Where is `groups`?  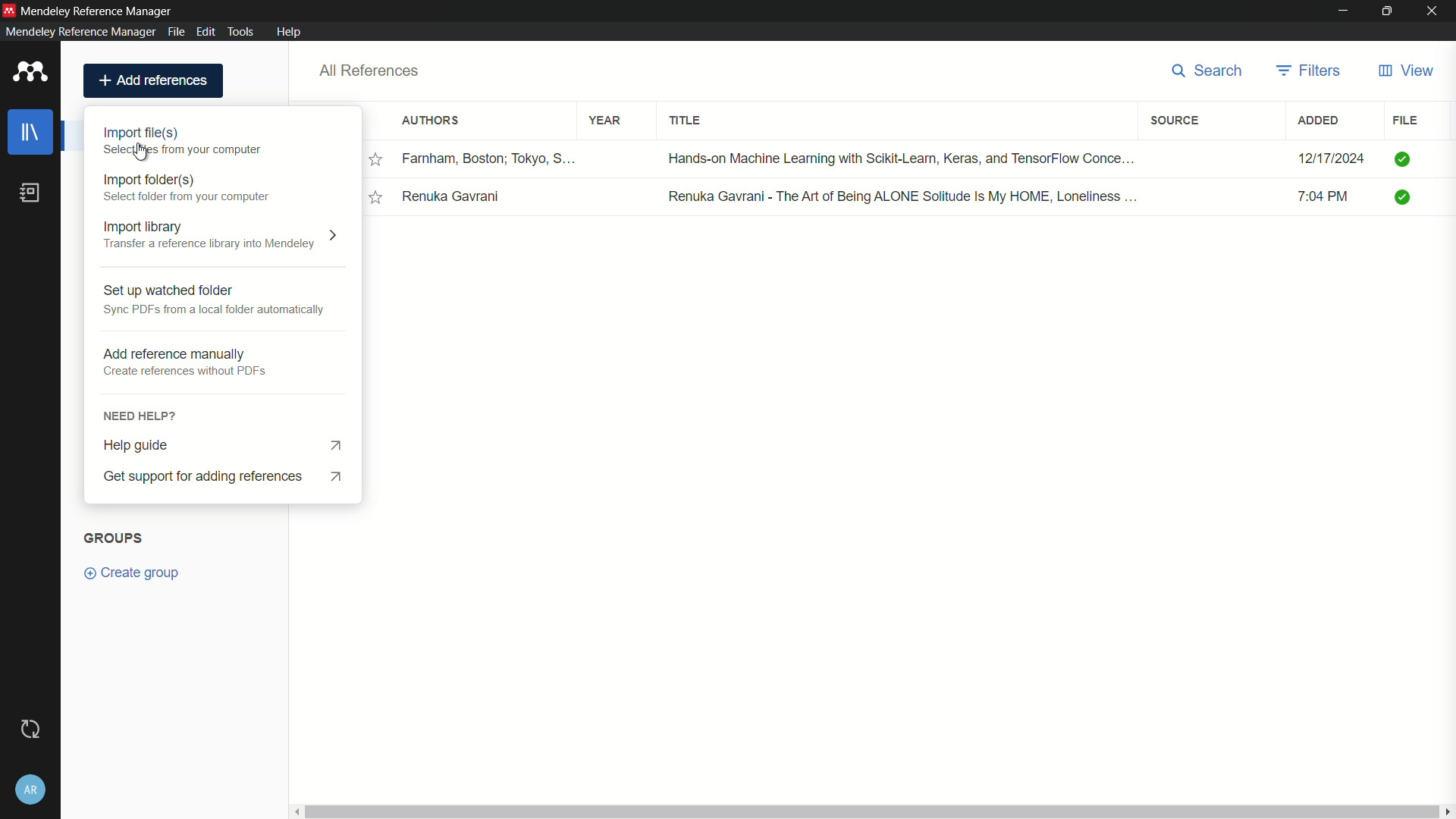 groups is located at coordinates (113, 538).